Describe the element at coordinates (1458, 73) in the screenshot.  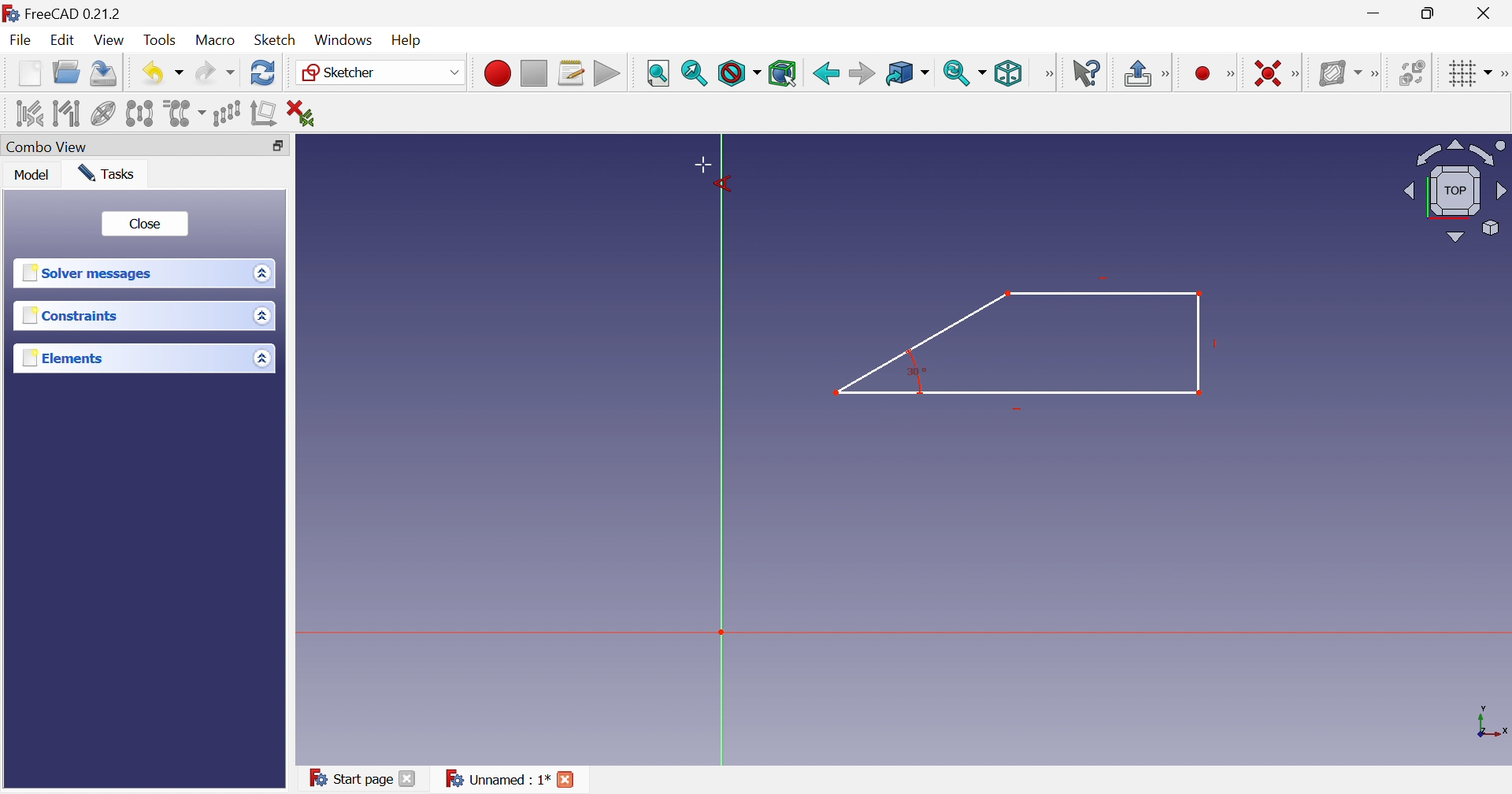
I see `Toggle grid` at that location.